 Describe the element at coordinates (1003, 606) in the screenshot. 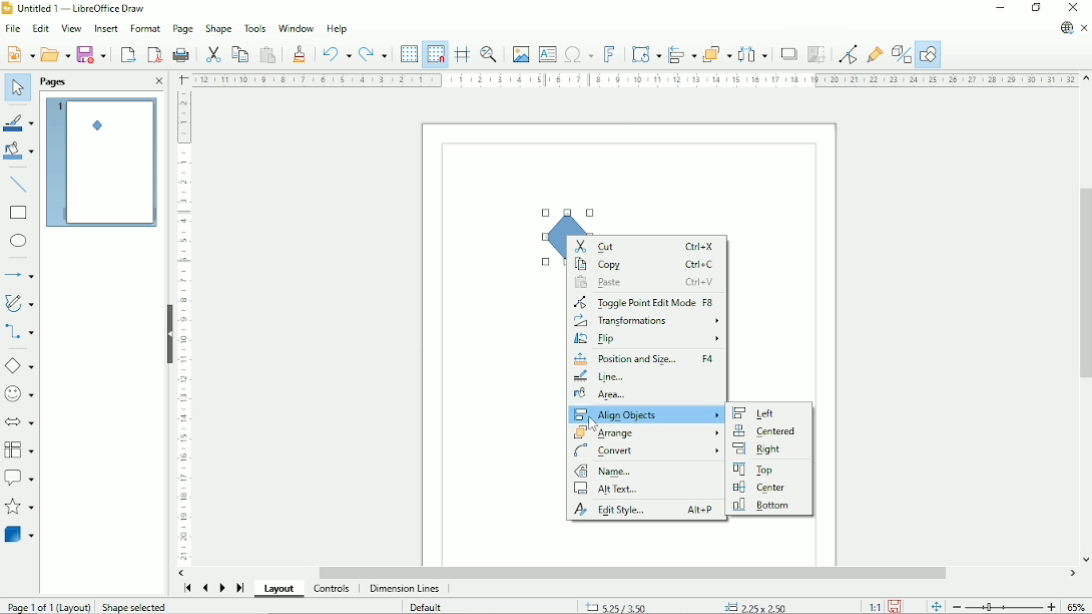

I see `Zoom out/in` at that location.